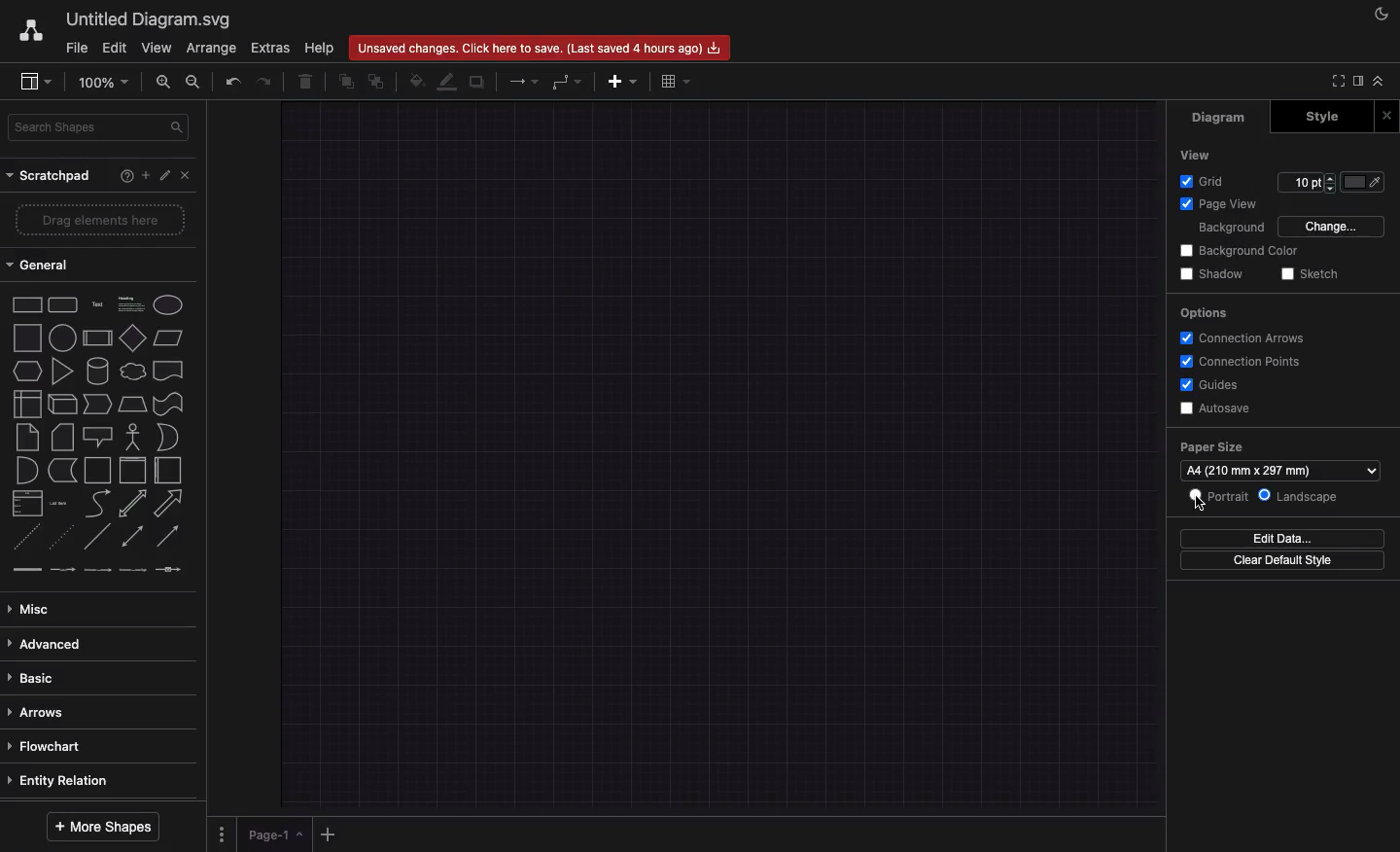 This screenshot has width=1400, height=852. What do you see at coordinates (235, 81) in the screenshot?
I see `Undo` at bounding box center [235, 81].